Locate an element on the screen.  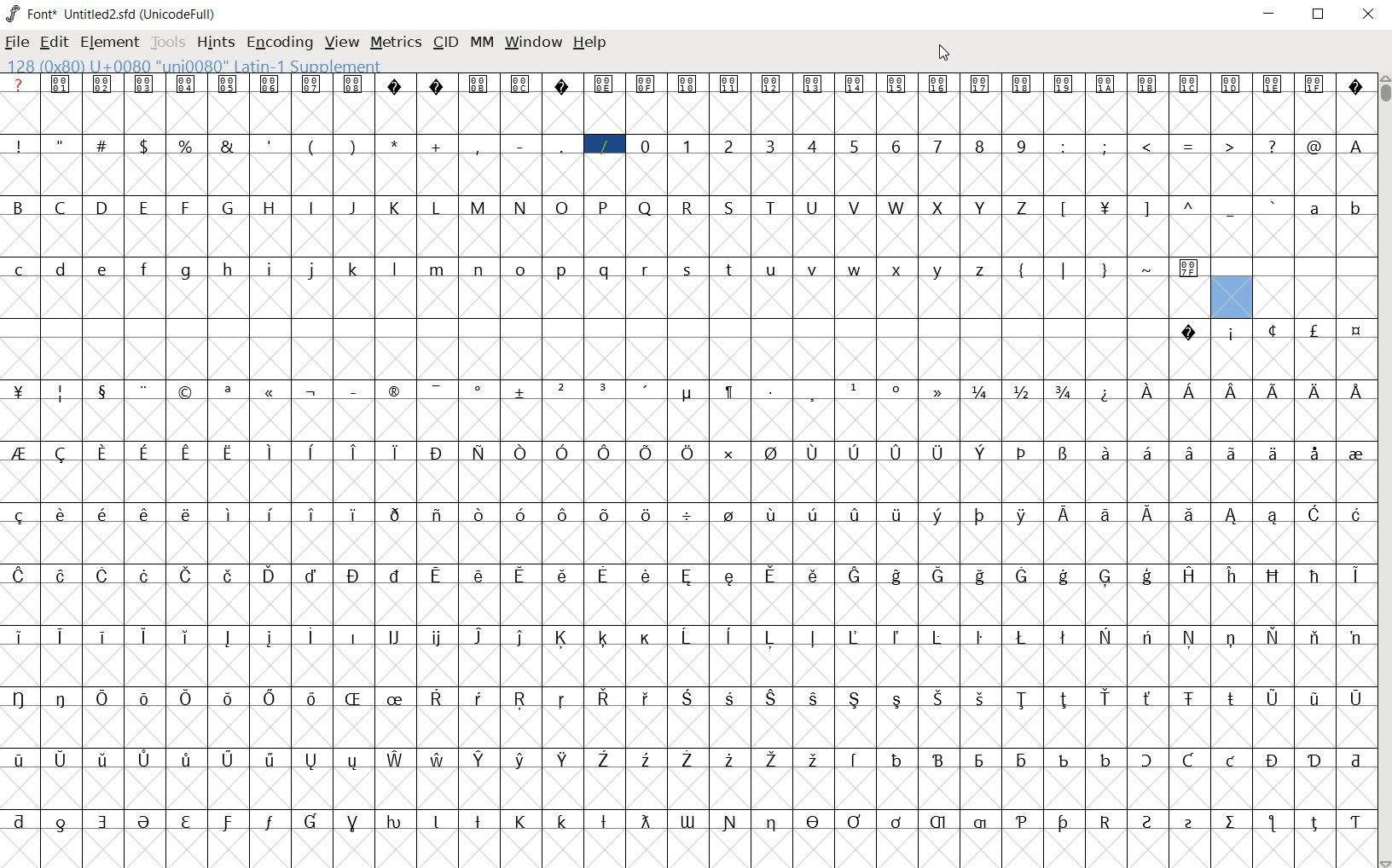
glyph is located at coordinates (937, 454).